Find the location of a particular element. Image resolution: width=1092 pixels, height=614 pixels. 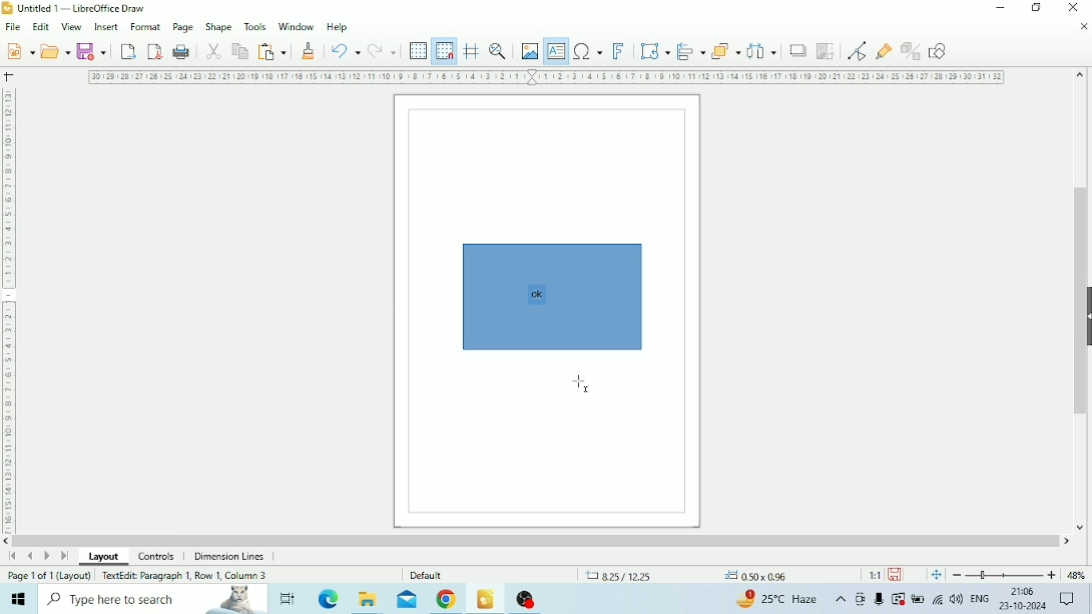

Paste is located at coordinates (272, 52).